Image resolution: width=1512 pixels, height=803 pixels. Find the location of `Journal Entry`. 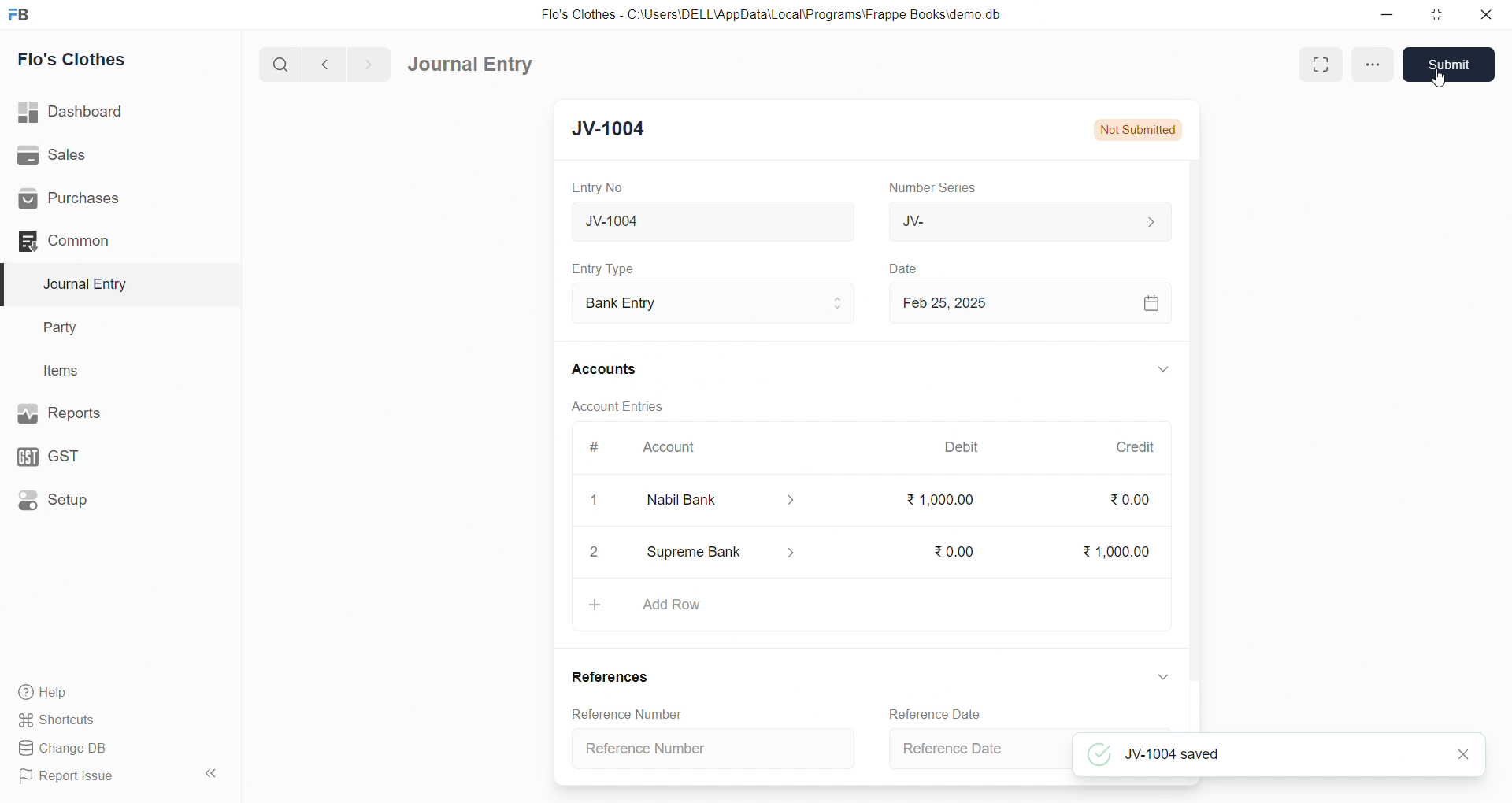

Journal Entry is located at coordinates (112, 284).